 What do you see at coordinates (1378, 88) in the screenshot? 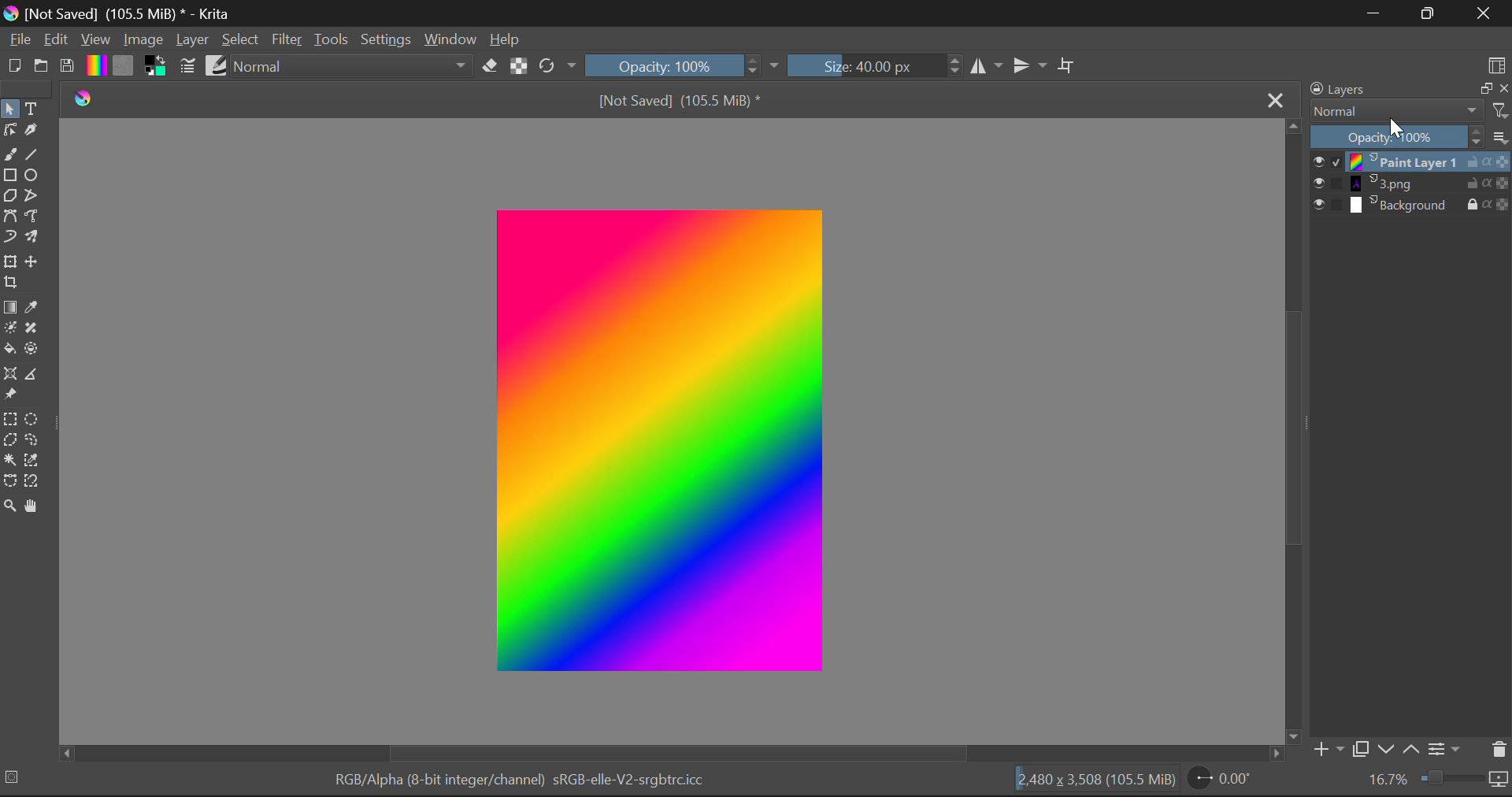
I see `Layers` at bounding box center [1378, 88].